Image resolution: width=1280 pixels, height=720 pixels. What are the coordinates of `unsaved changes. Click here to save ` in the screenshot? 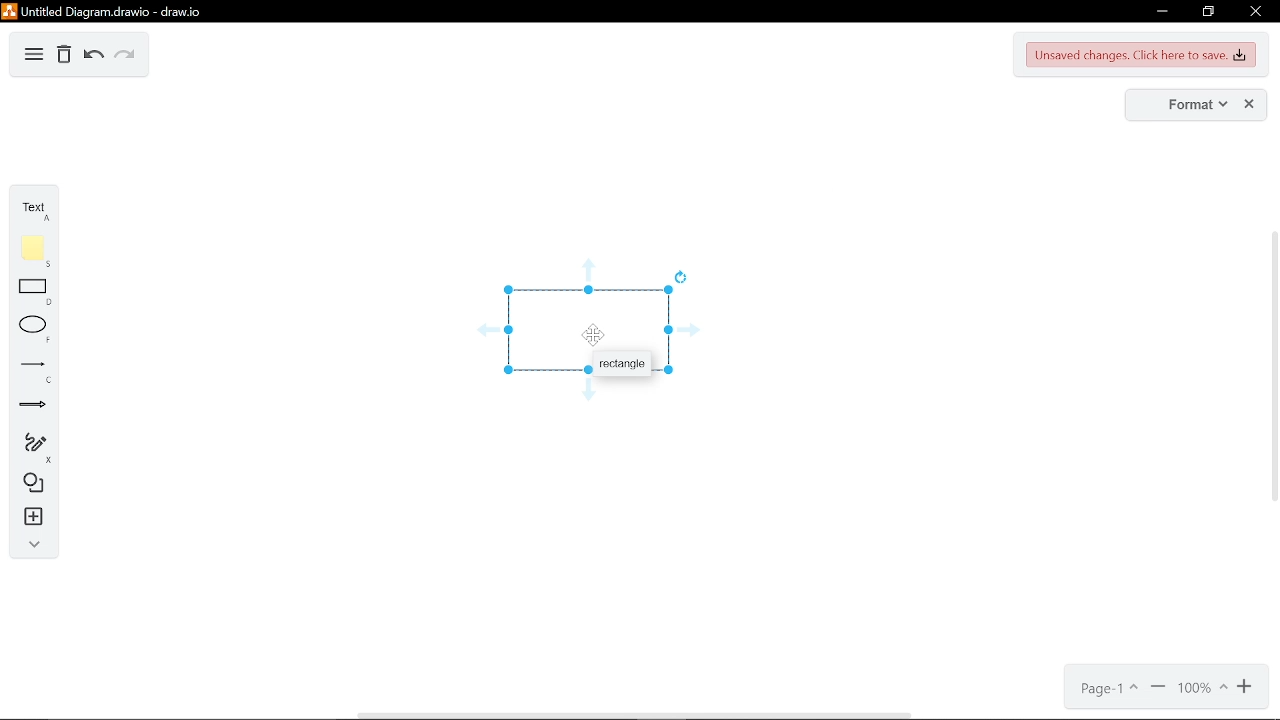 It's located at (1142, 55).